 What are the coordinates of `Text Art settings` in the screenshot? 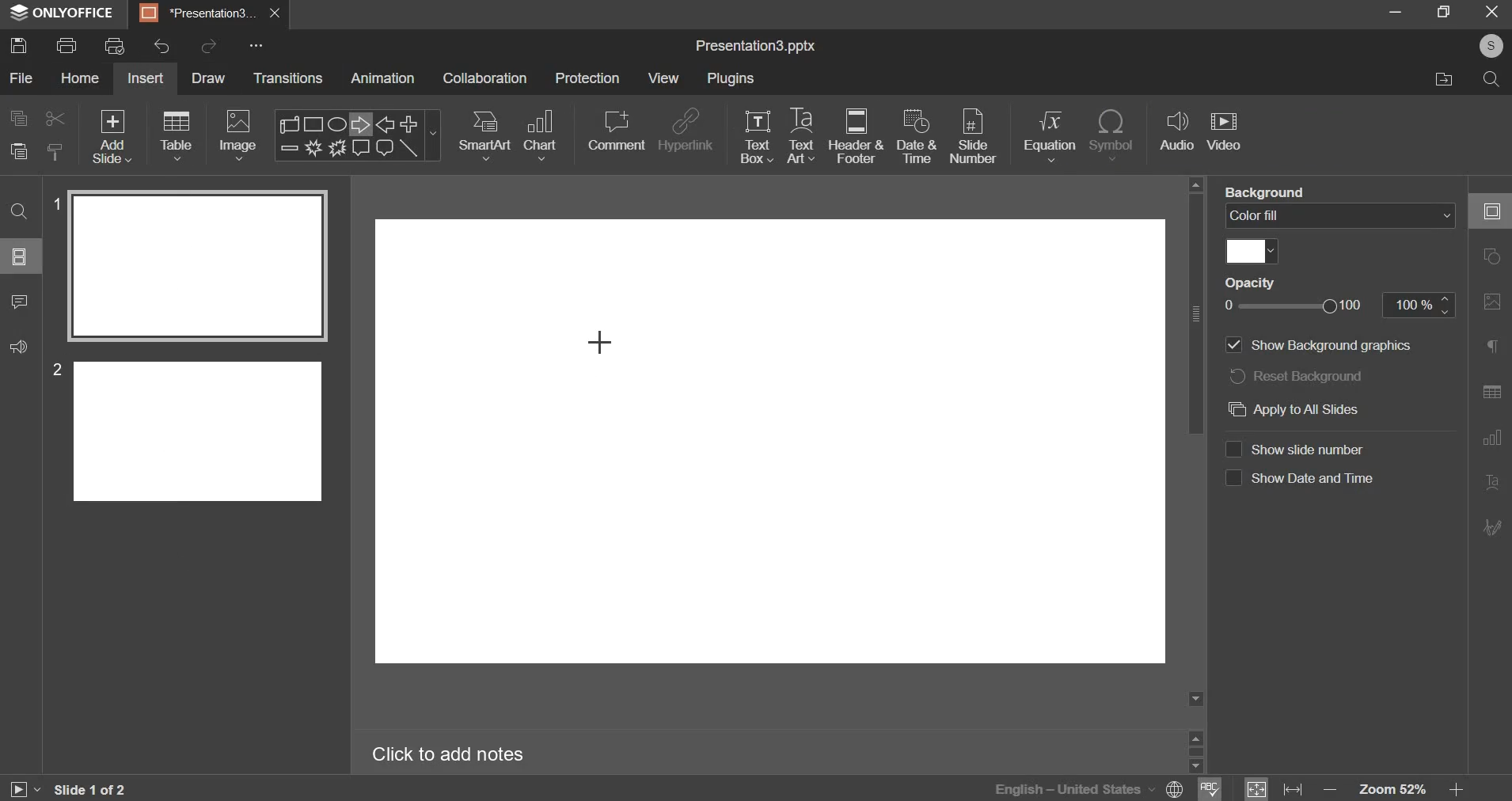 It's located at (1492, 483).